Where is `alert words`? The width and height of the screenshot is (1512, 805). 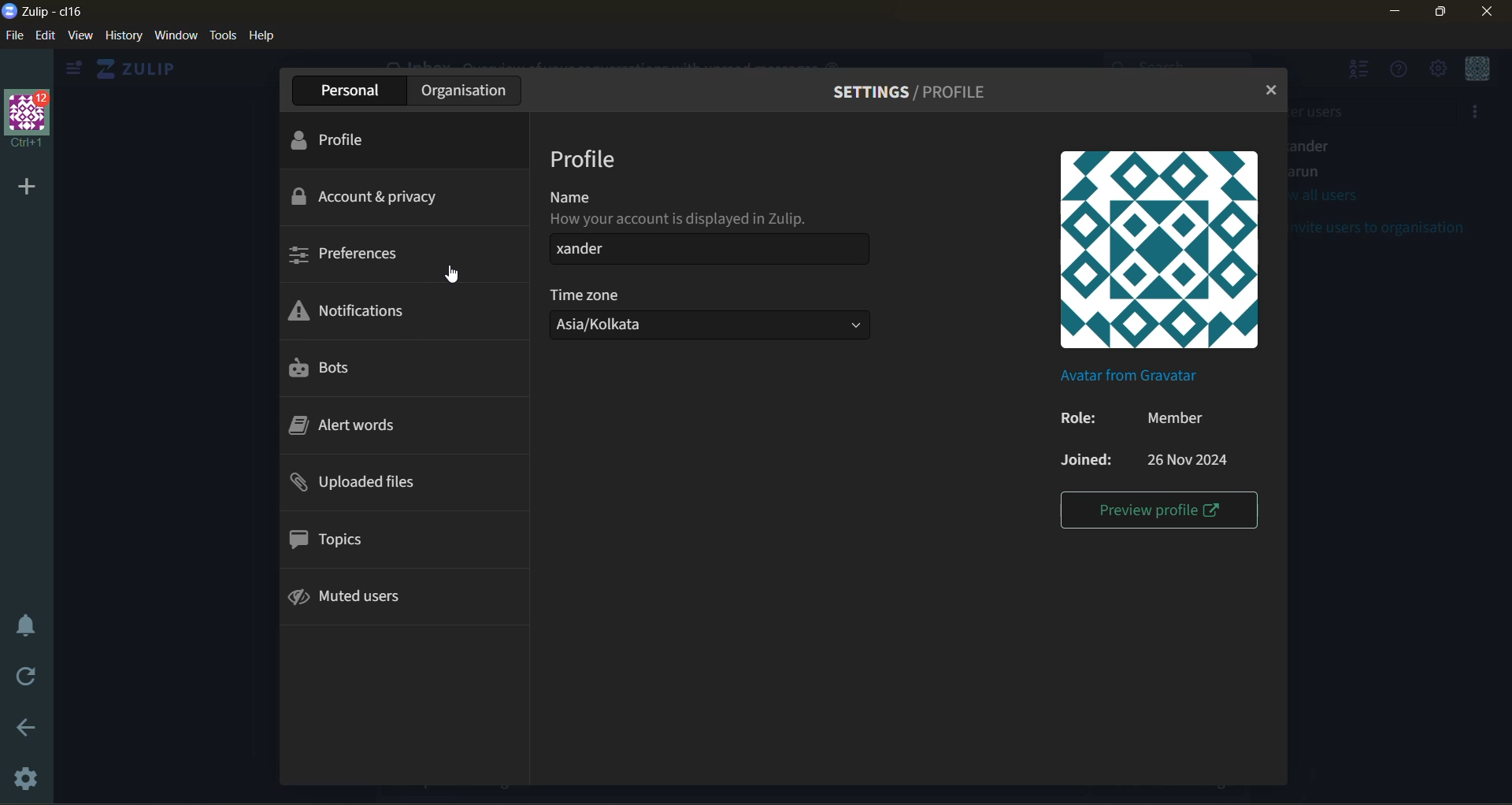 alert words is located at coordinates (344, 428).